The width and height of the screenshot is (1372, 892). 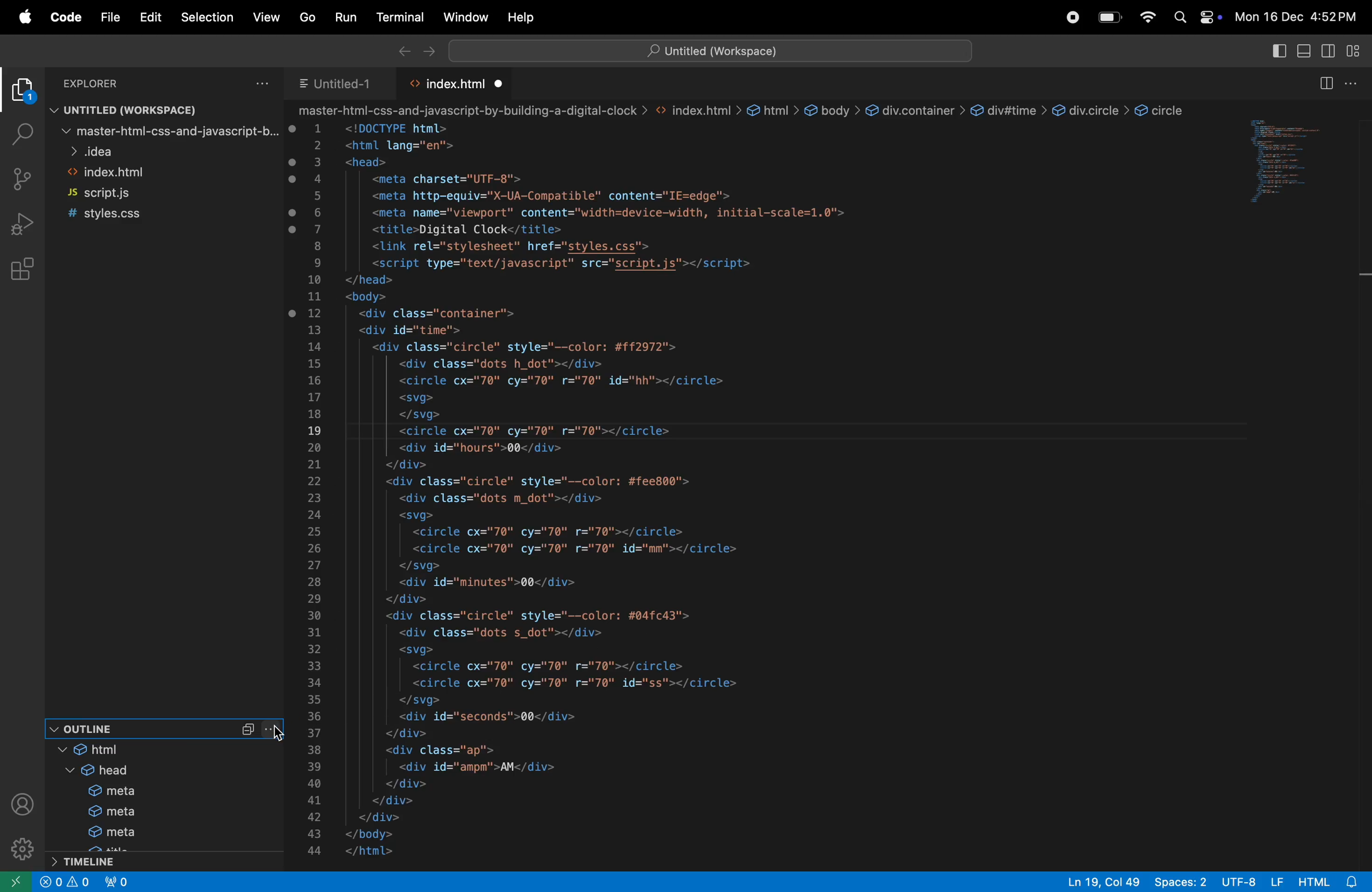 I want to click on window, so click(x=462, y=17).